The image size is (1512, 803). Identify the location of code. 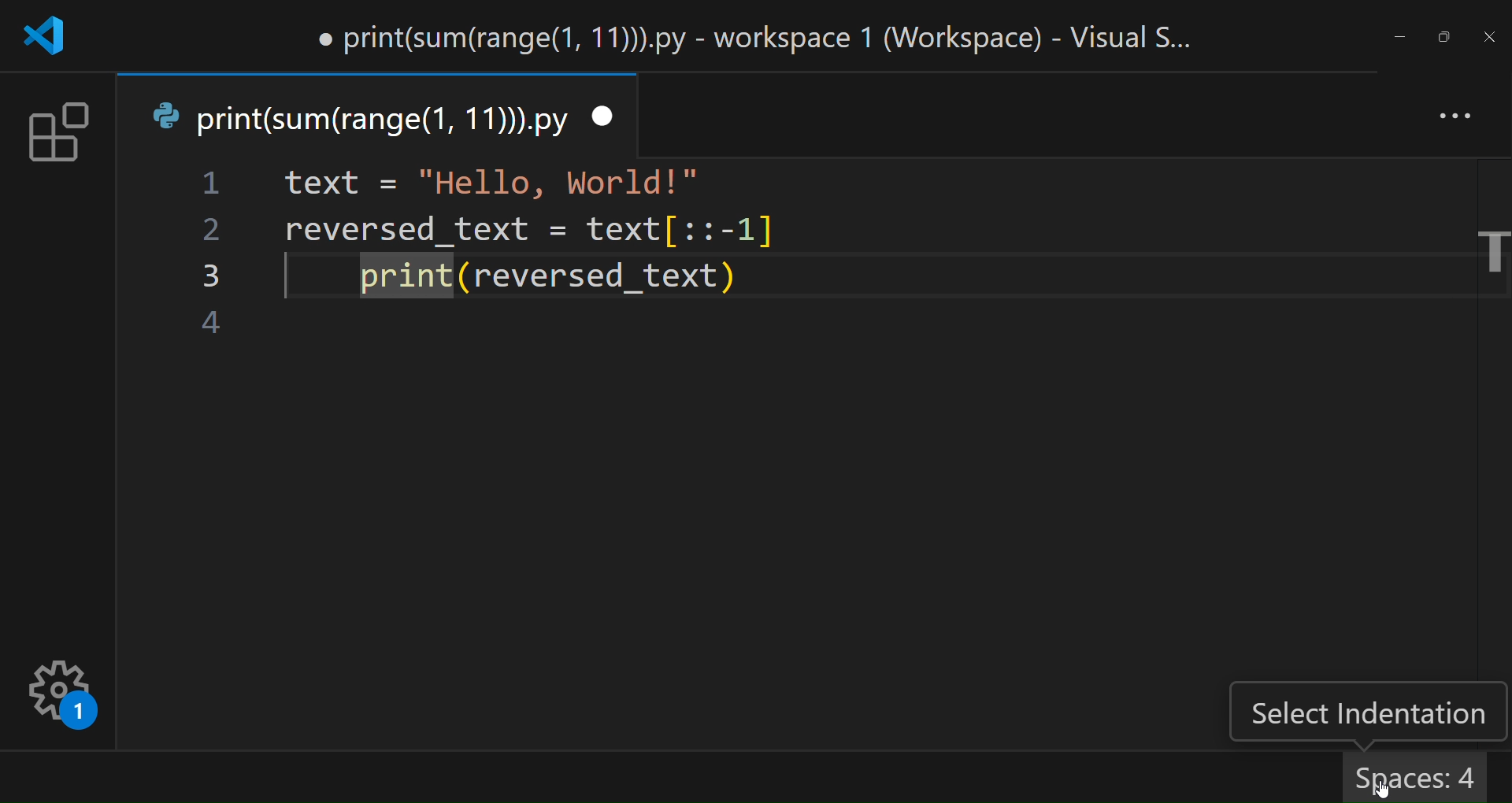
(536, 229).